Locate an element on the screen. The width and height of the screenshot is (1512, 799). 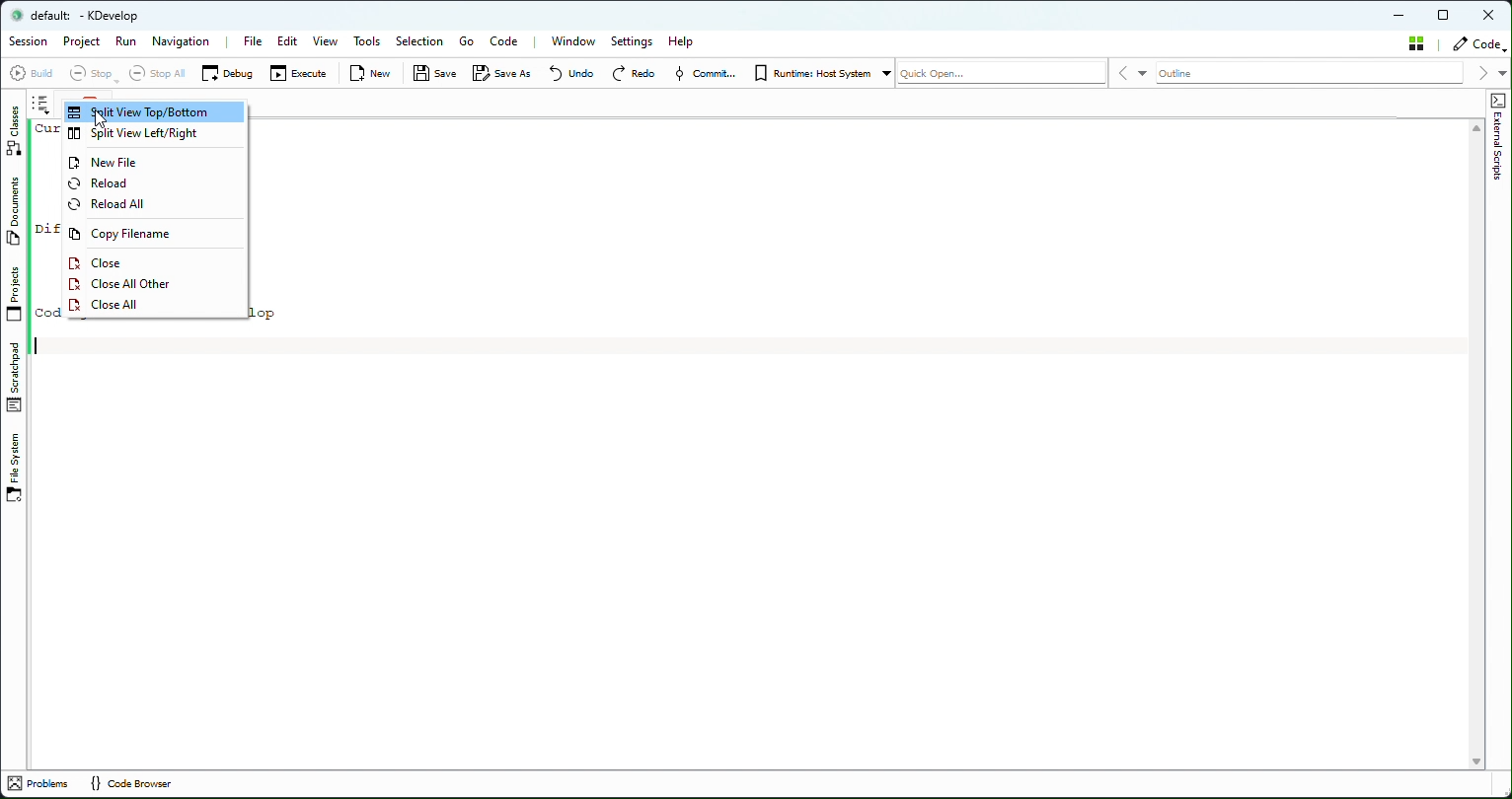
Stop is located at coordinates (96, 74).